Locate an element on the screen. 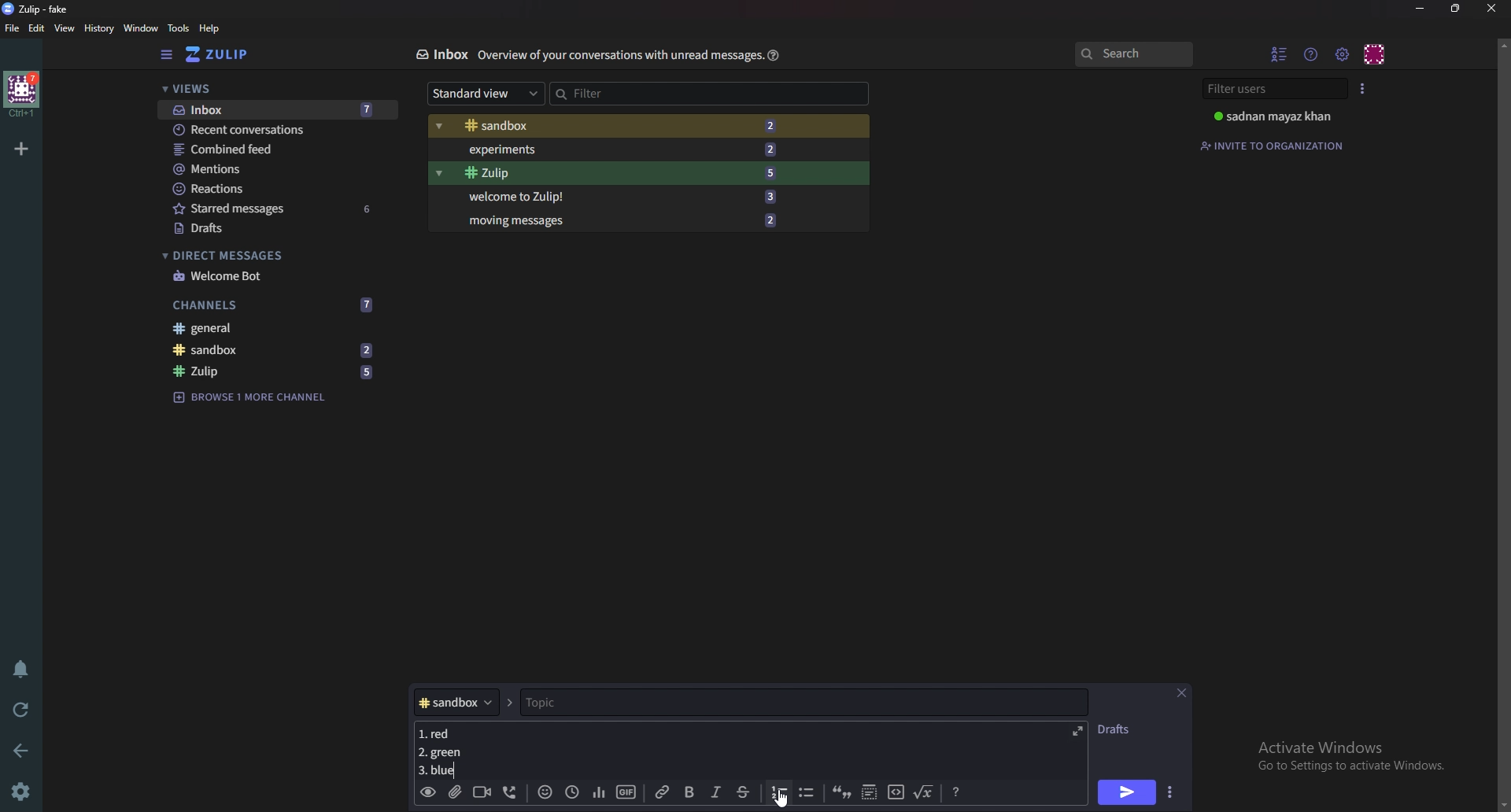  Cursor is located at coordinates (784, 799).